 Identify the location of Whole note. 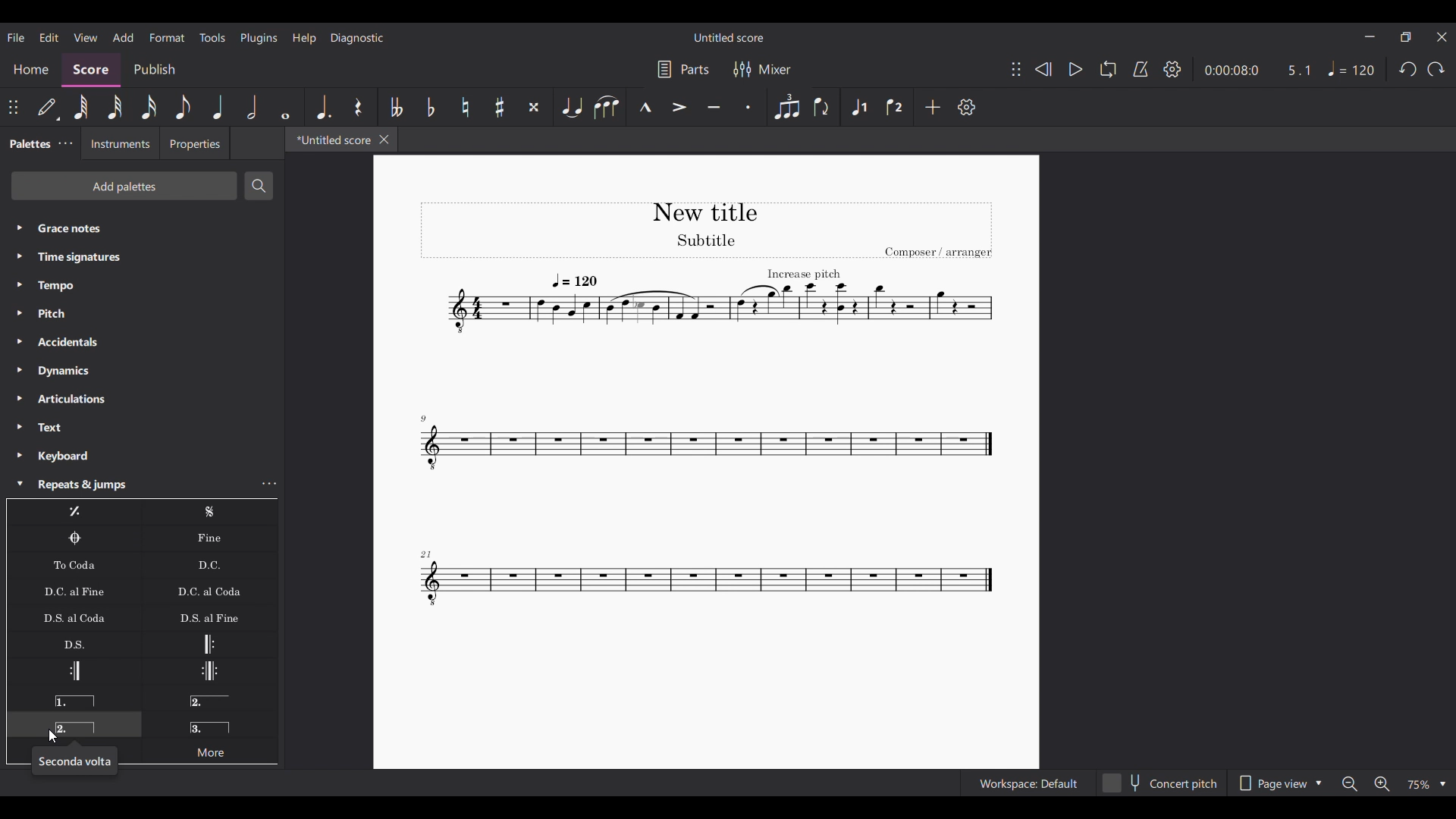
(285, 107).